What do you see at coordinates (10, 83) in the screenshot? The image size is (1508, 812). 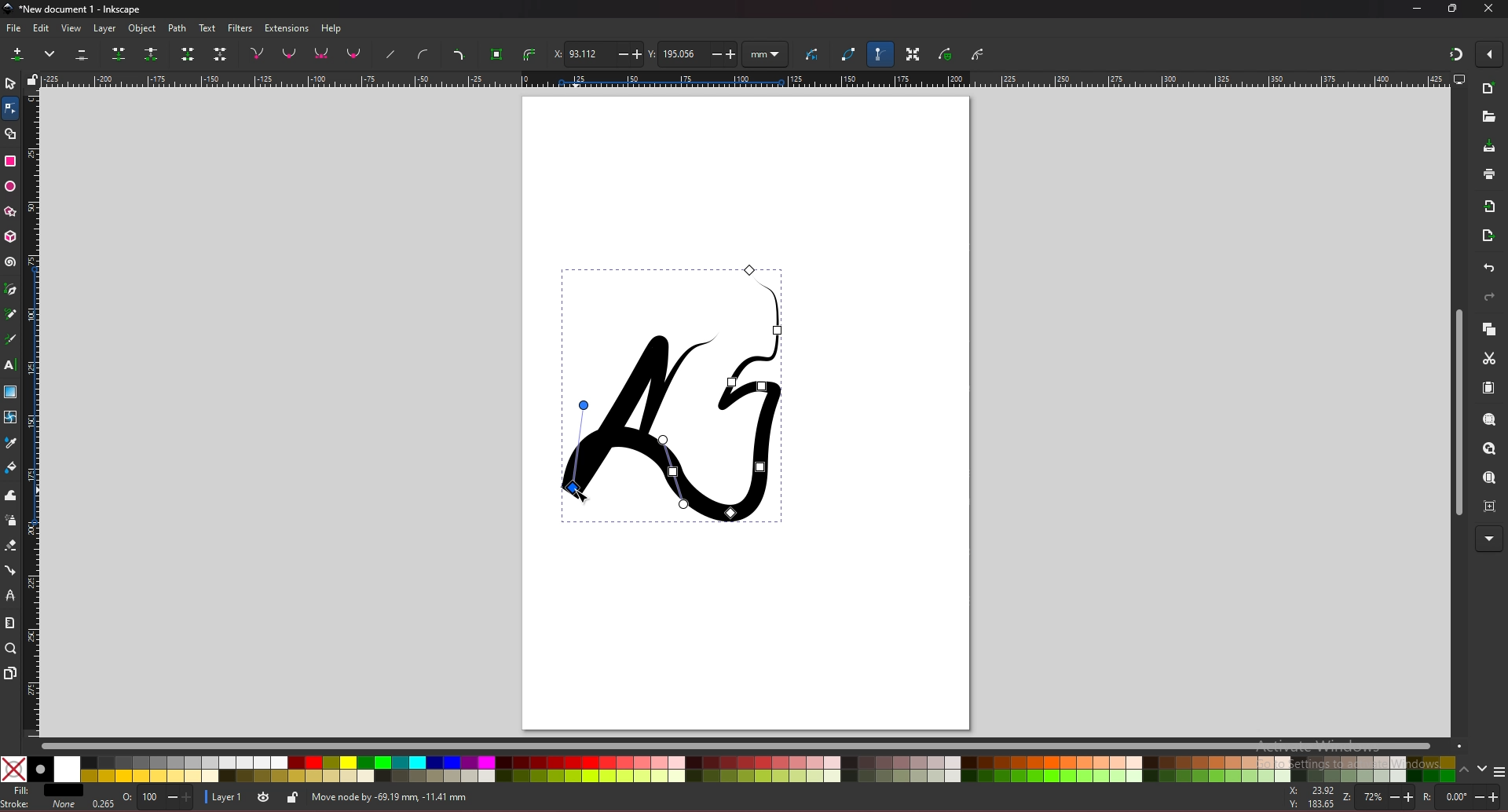 I see `selector` at bounding box center [10, 83].